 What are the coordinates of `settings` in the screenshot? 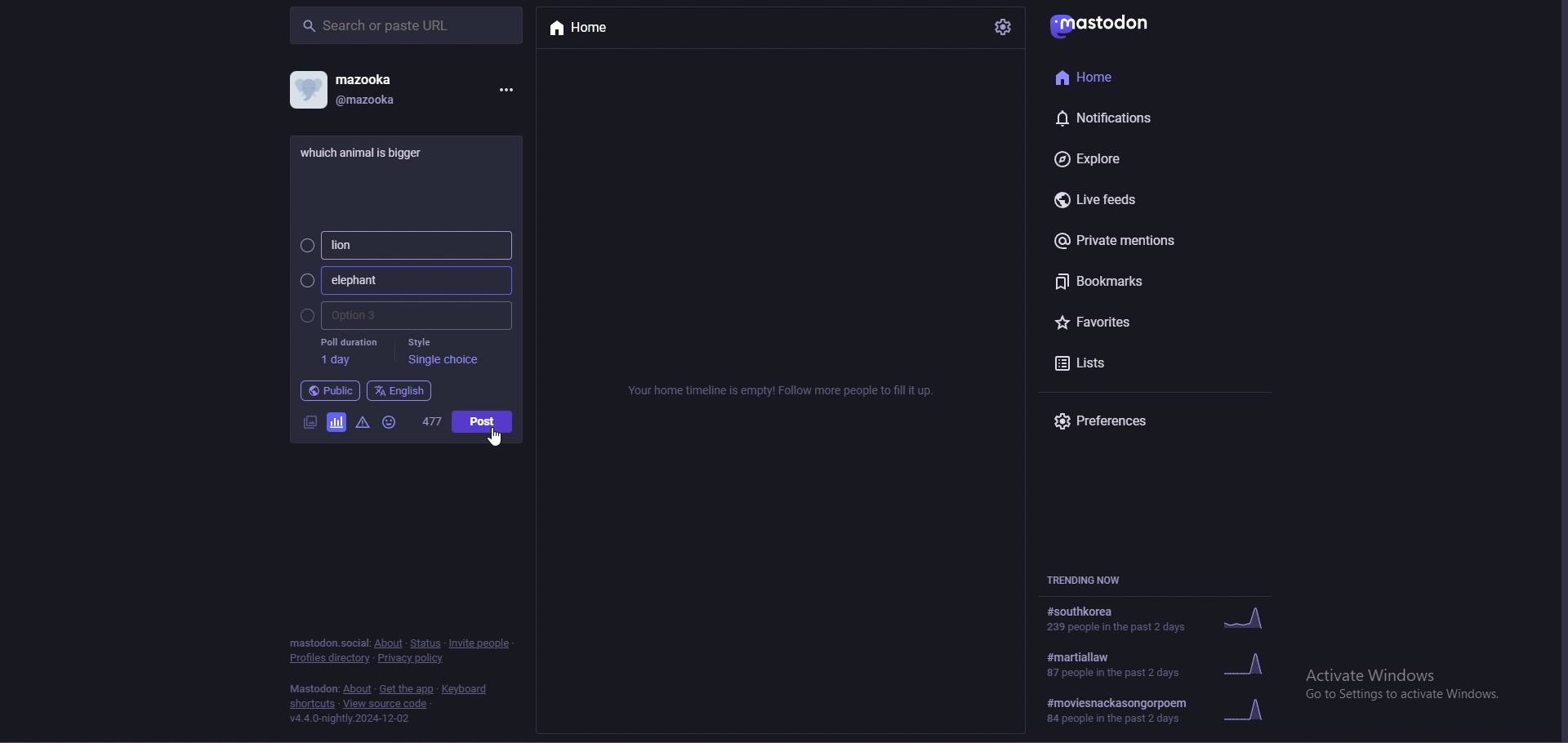 It's located at (1001, 27).